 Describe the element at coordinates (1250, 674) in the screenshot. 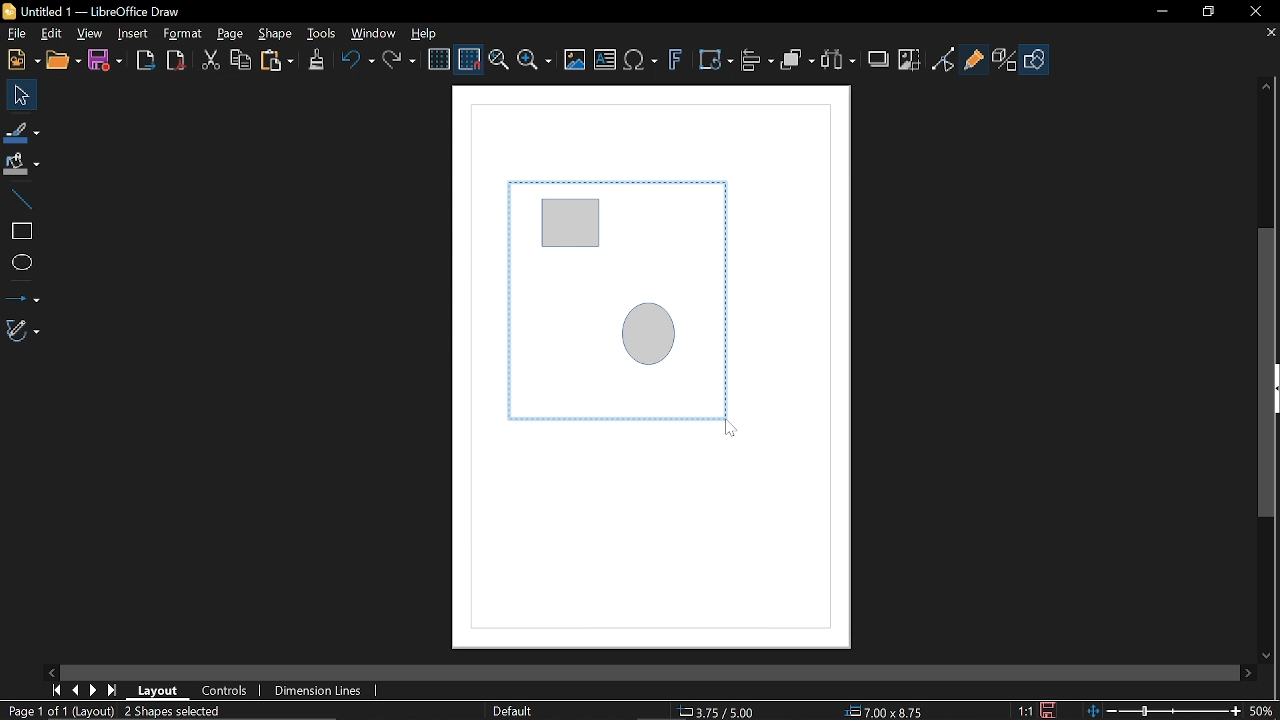

I see `Move right` at that location.